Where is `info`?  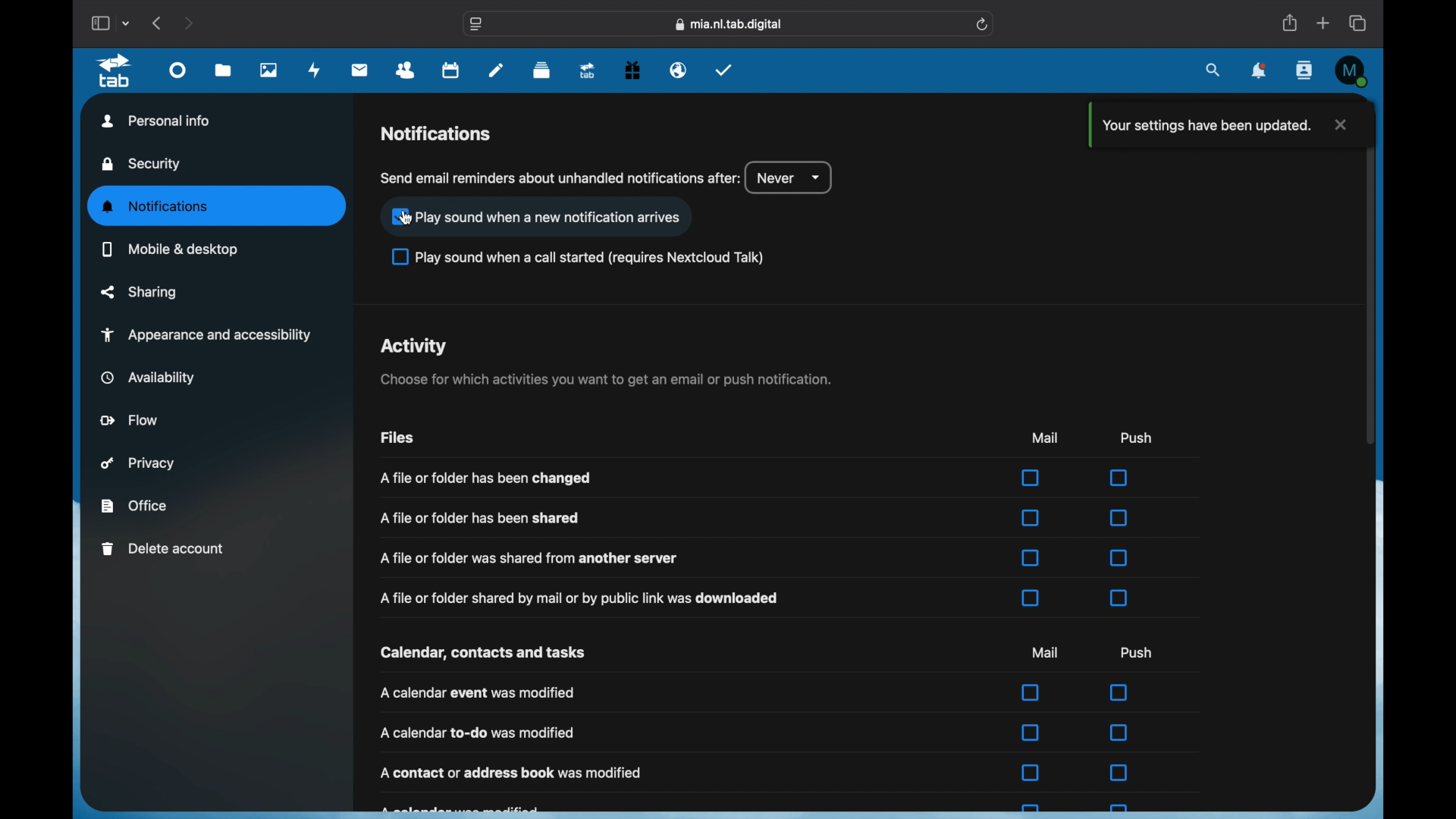
info is located at coordinates (560, 177).